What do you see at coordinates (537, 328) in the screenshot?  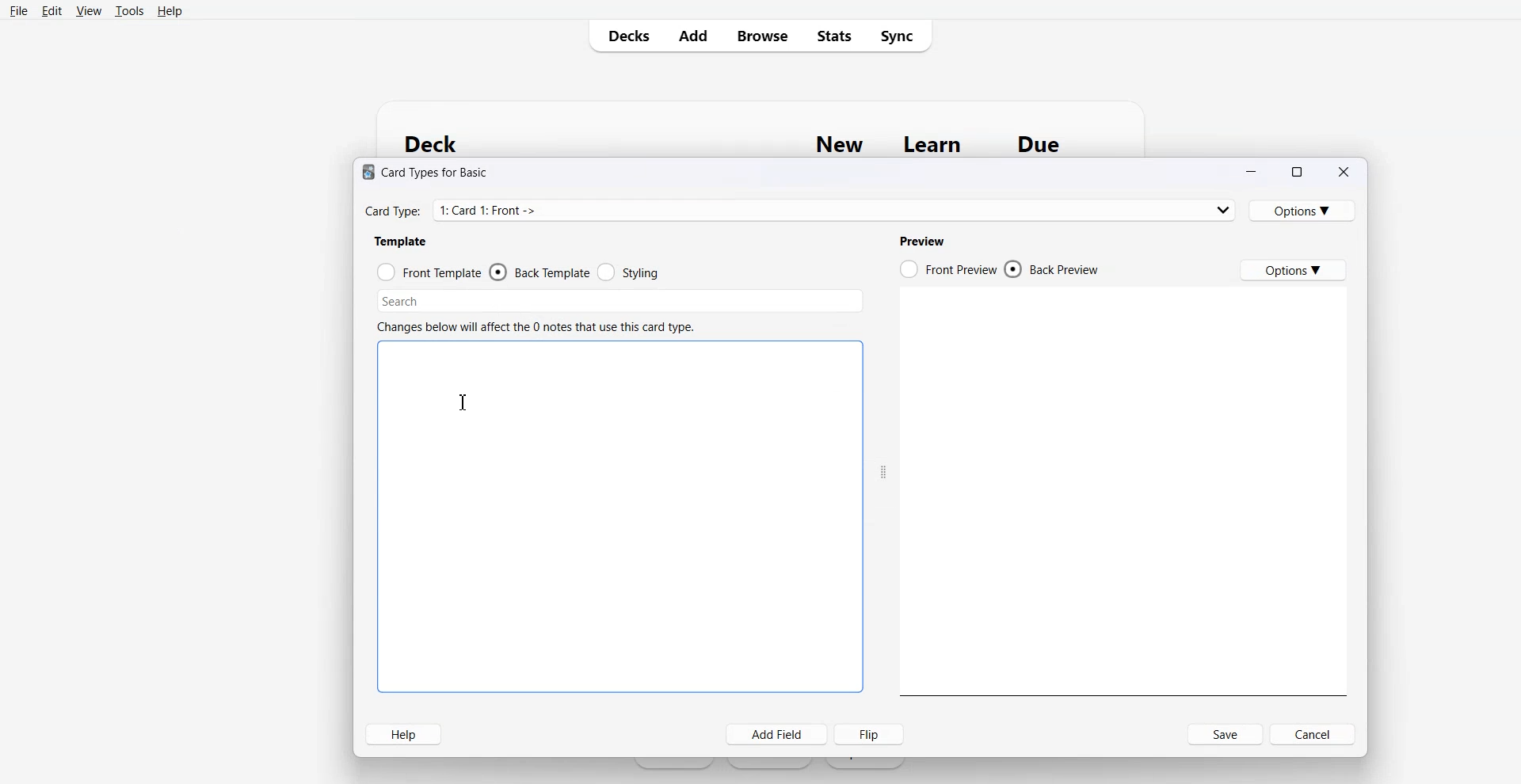 I see `Changes below will affect the 0 notes that use this card type.` at bounding box center [537, 328].